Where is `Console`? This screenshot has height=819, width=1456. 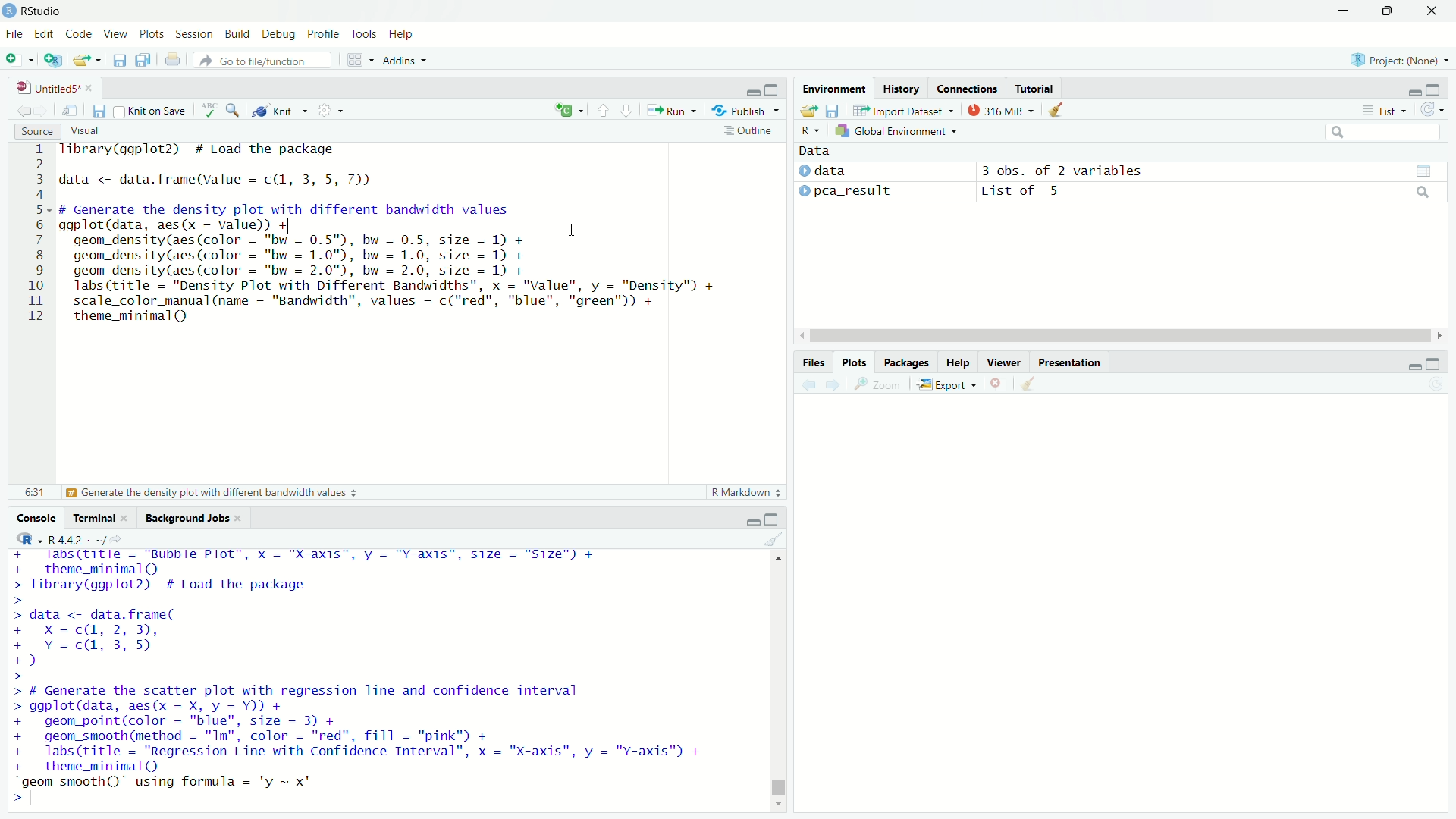 Console is located at coordinates (35, 517).